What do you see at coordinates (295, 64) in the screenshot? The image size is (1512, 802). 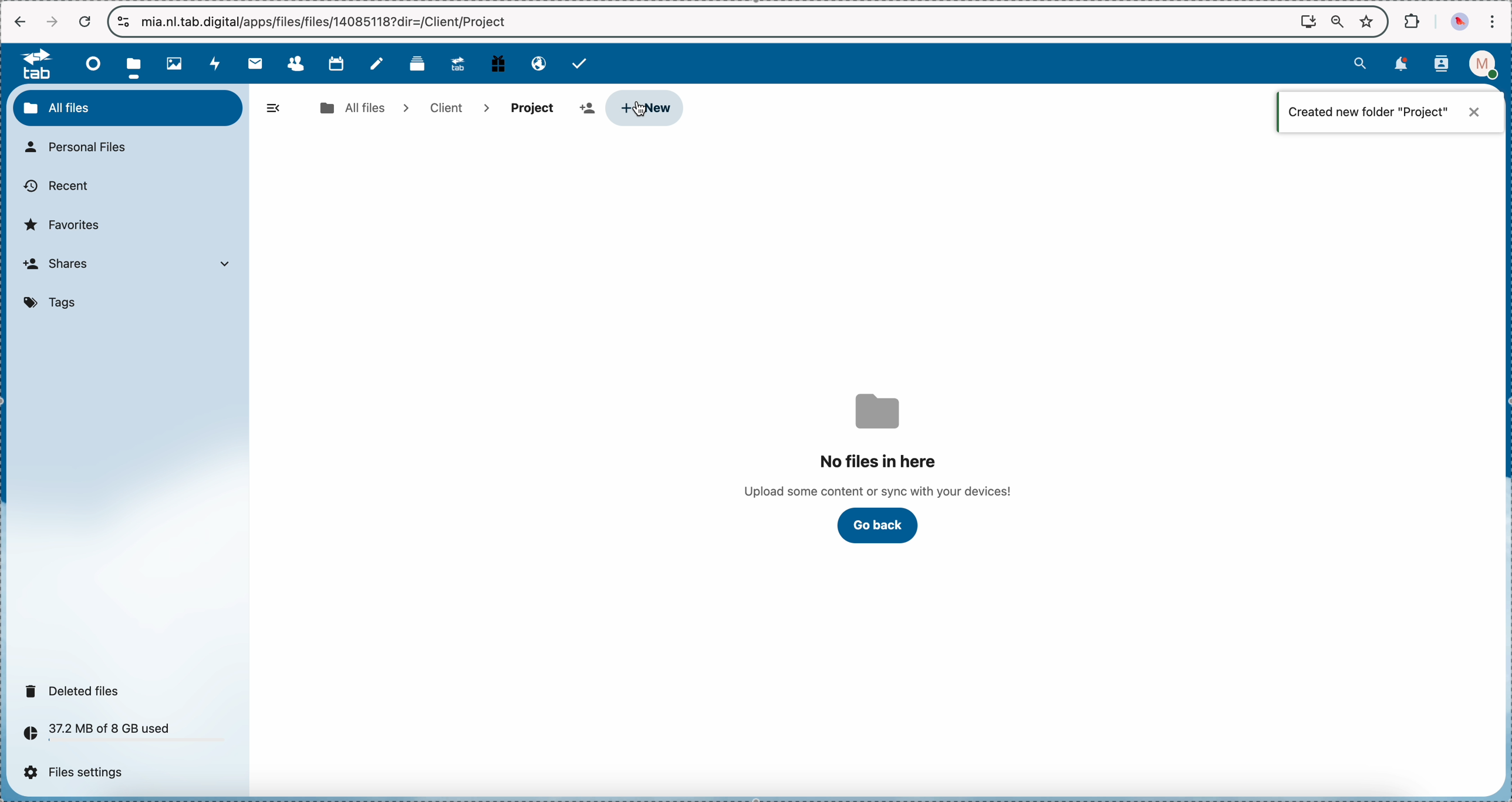 I see `contacts` at bounding box center [295, 64].